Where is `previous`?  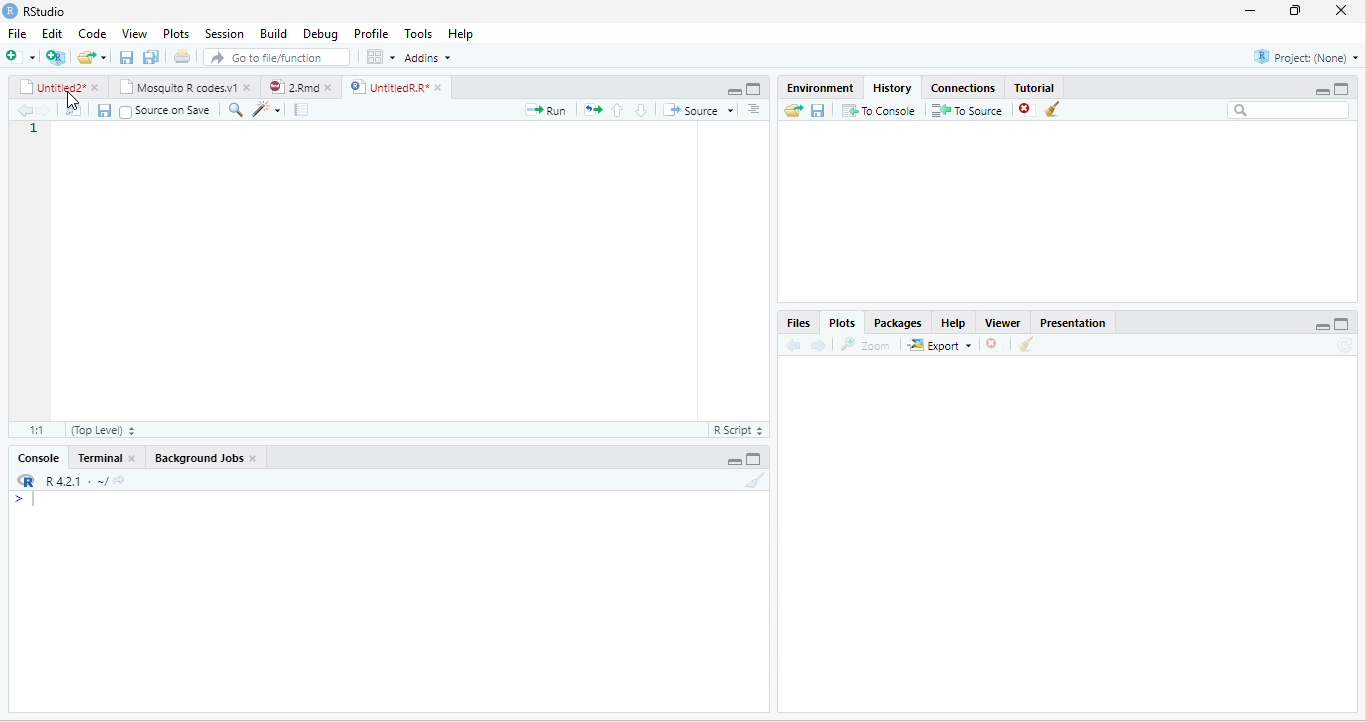
previous is located at coordinates (797, 345).